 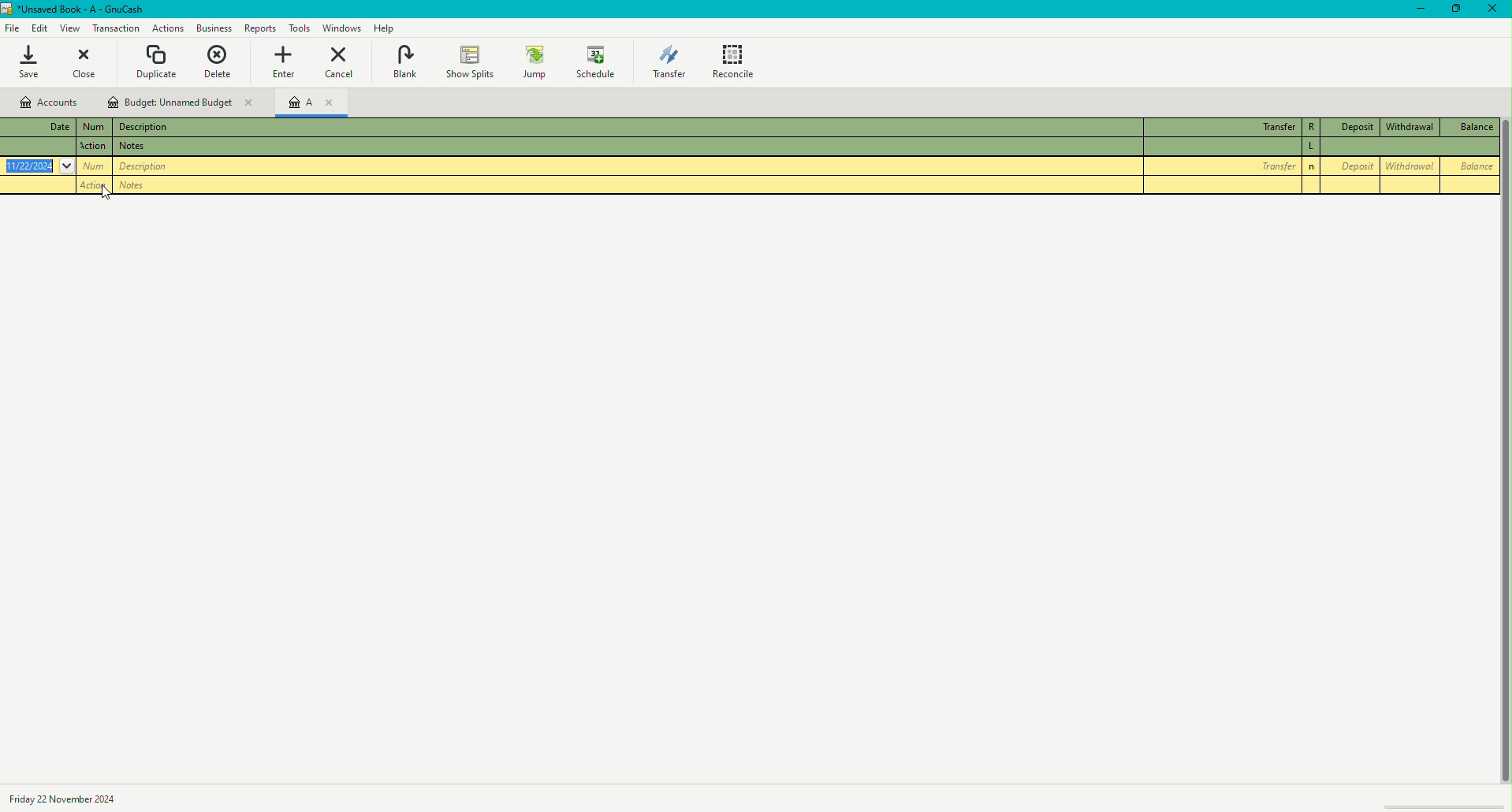 What do you see at coordinates (92, 166) in the screenshot?
I see `num` at bounding box center [92, 166].